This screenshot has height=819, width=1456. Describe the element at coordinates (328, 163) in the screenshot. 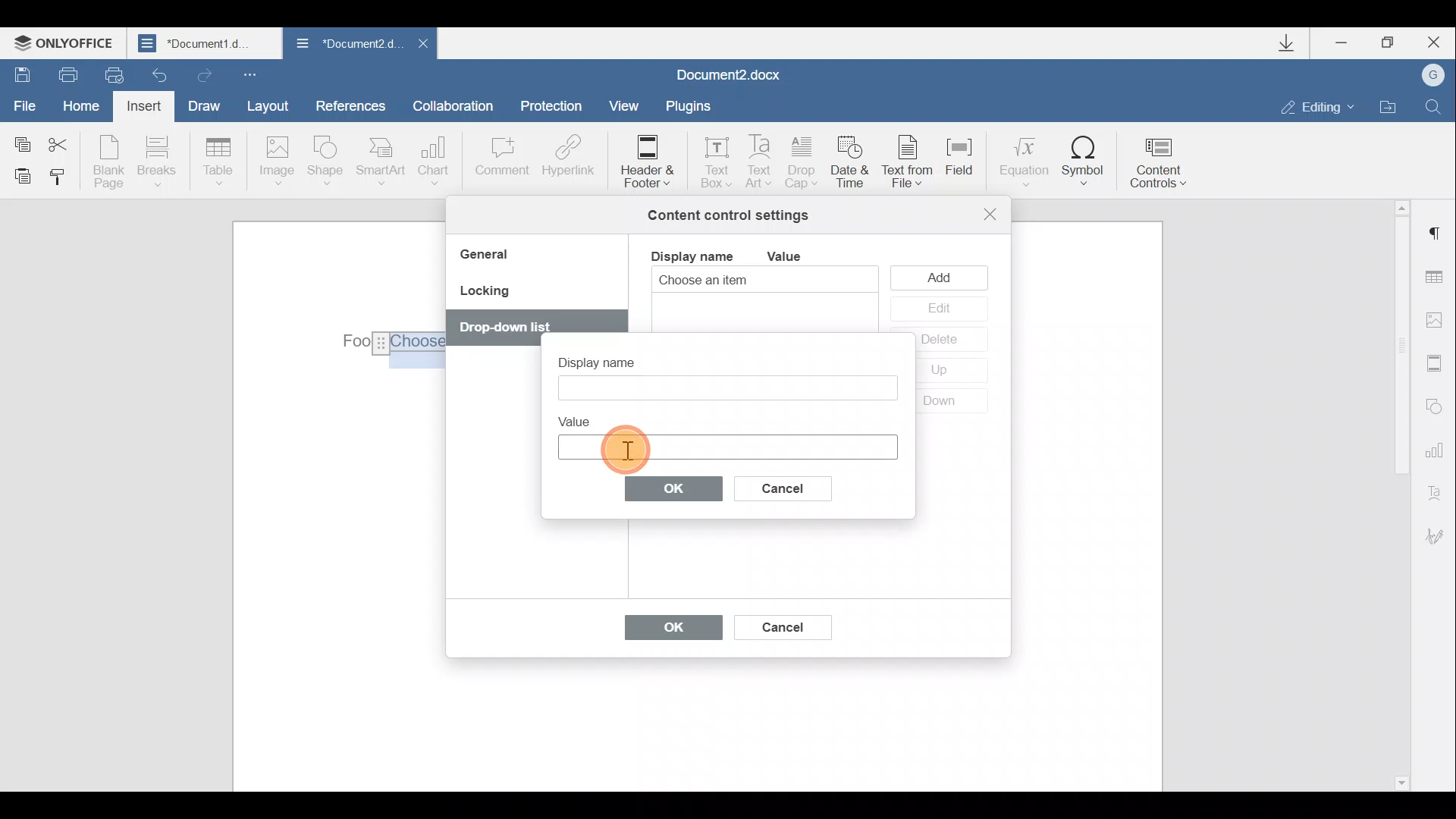

I see `Shape` at that location.